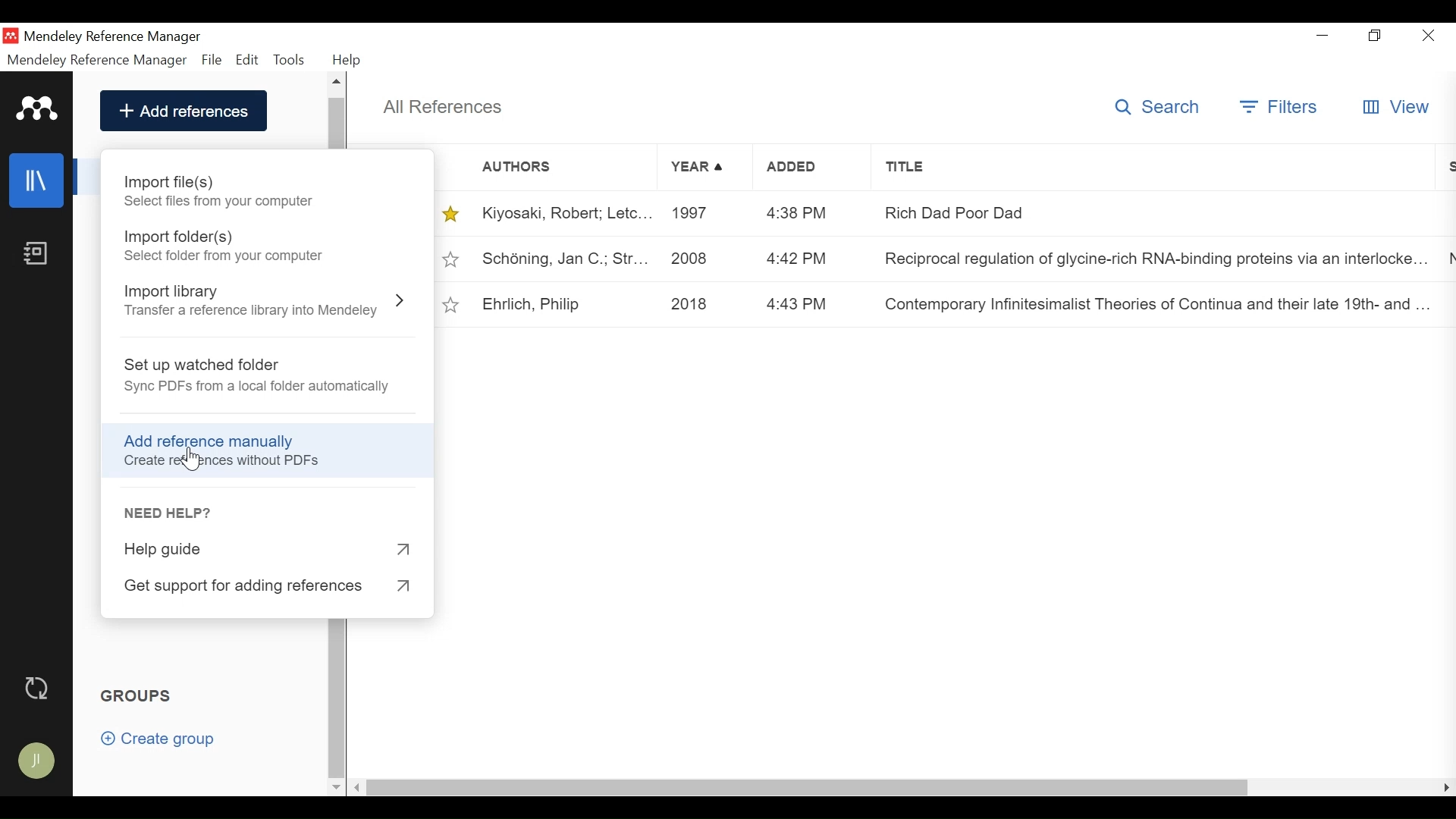 This screenshot has width=1456, height=819. What do you see at coordinates (212, 59) in the screenshot?
I see `File` at bounding box center [212, 59].